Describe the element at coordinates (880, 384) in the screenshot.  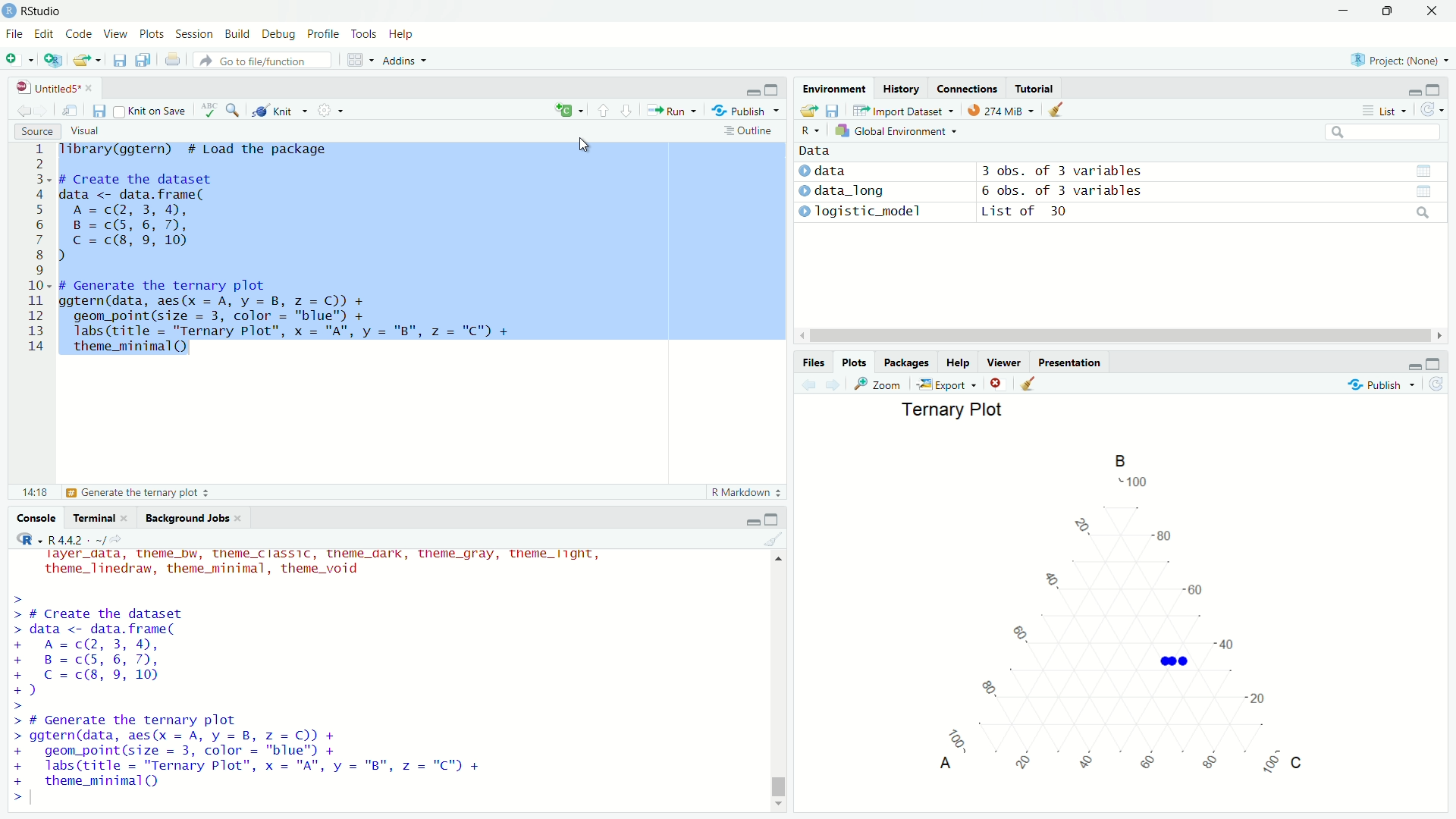
I see `zoom` at that location.